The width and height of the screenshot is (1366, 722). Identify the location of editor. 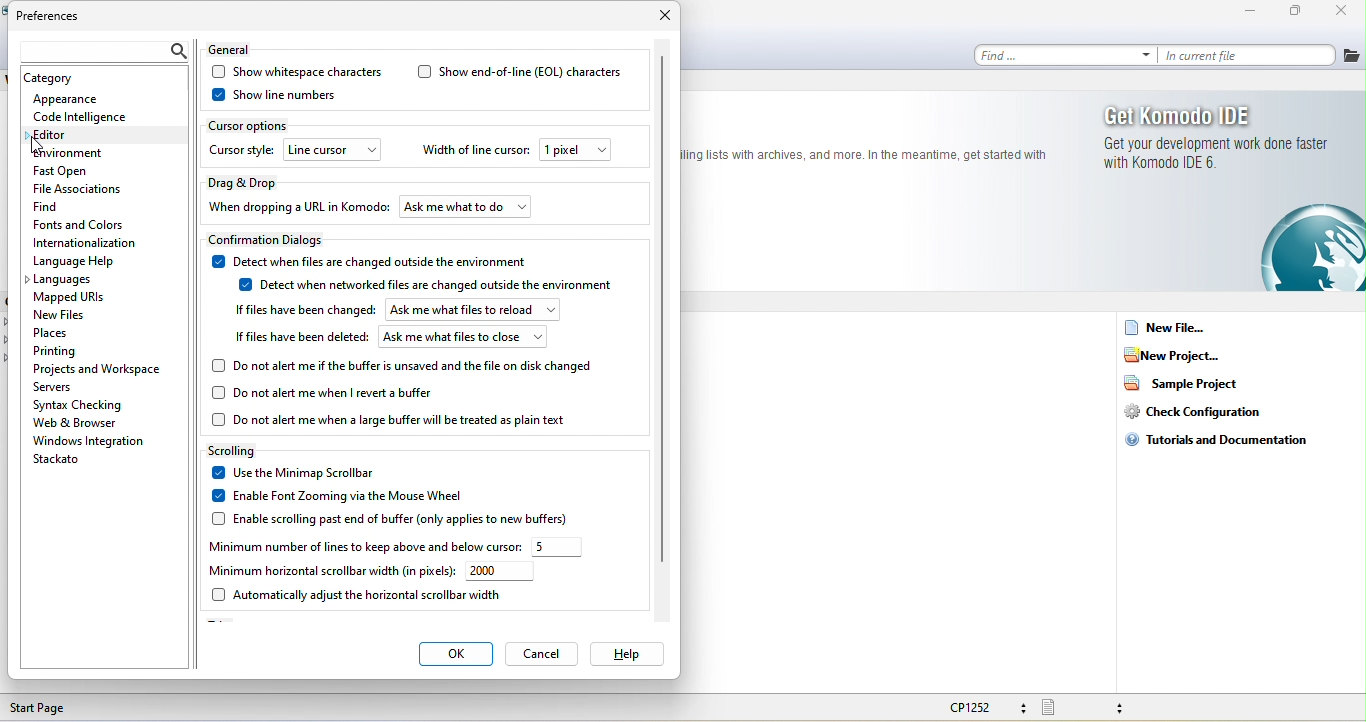
(100, 134).